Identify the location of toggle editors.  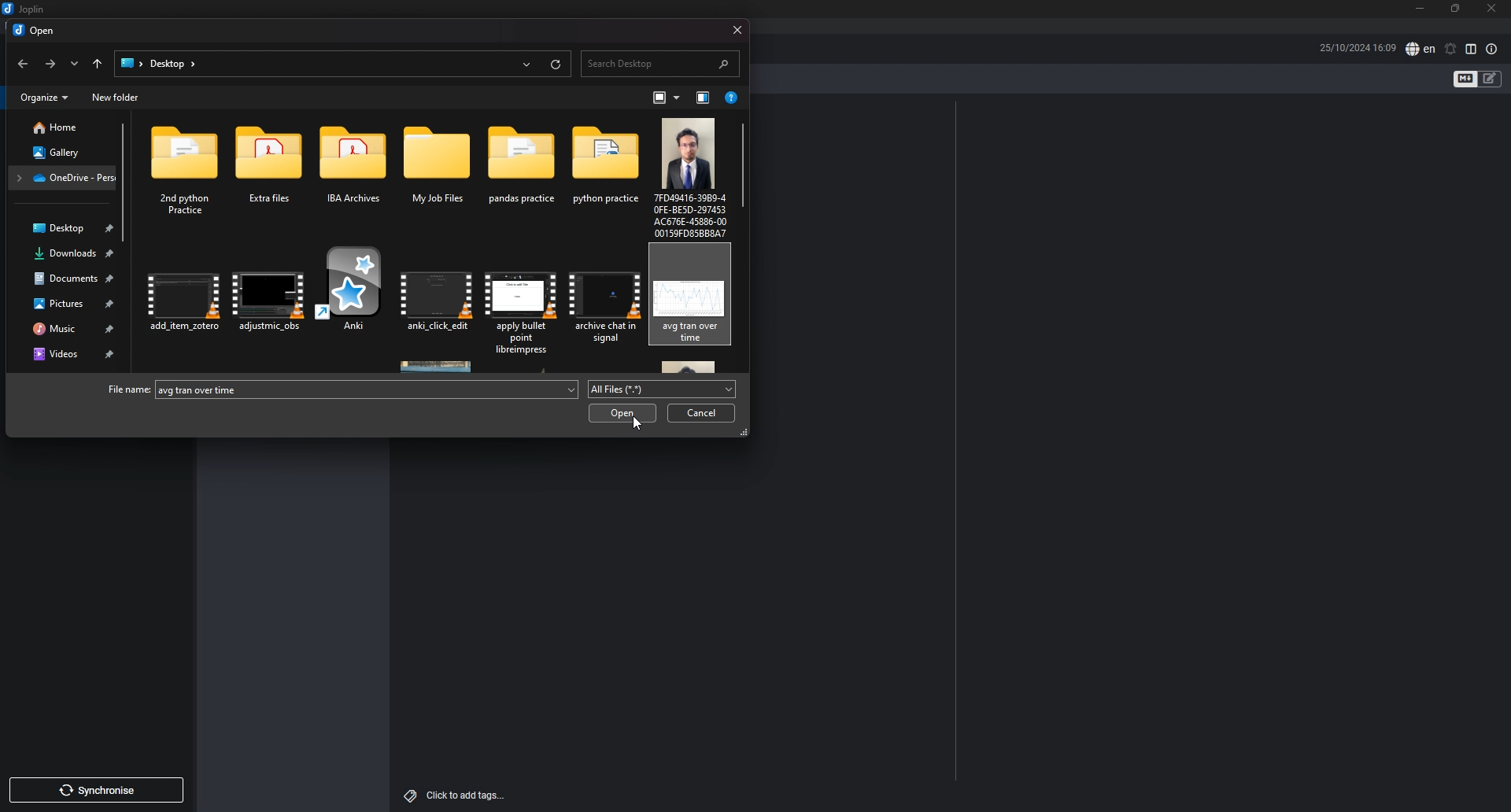
(1465, 79).